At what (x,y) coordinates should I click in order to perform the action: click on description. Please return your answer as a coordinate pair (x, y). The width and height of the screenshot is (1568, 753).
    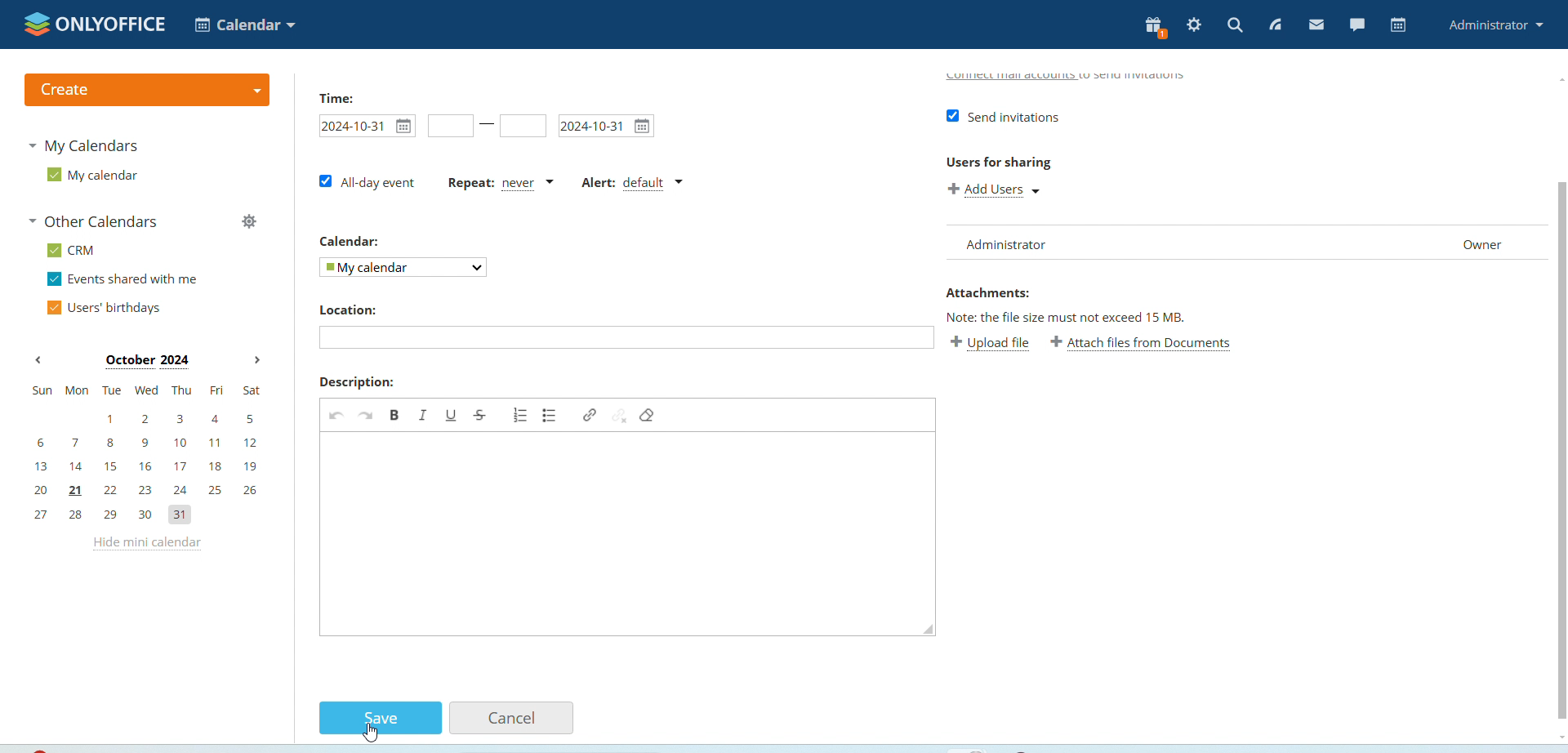
    Looking at the image, I should click on (356, 383).